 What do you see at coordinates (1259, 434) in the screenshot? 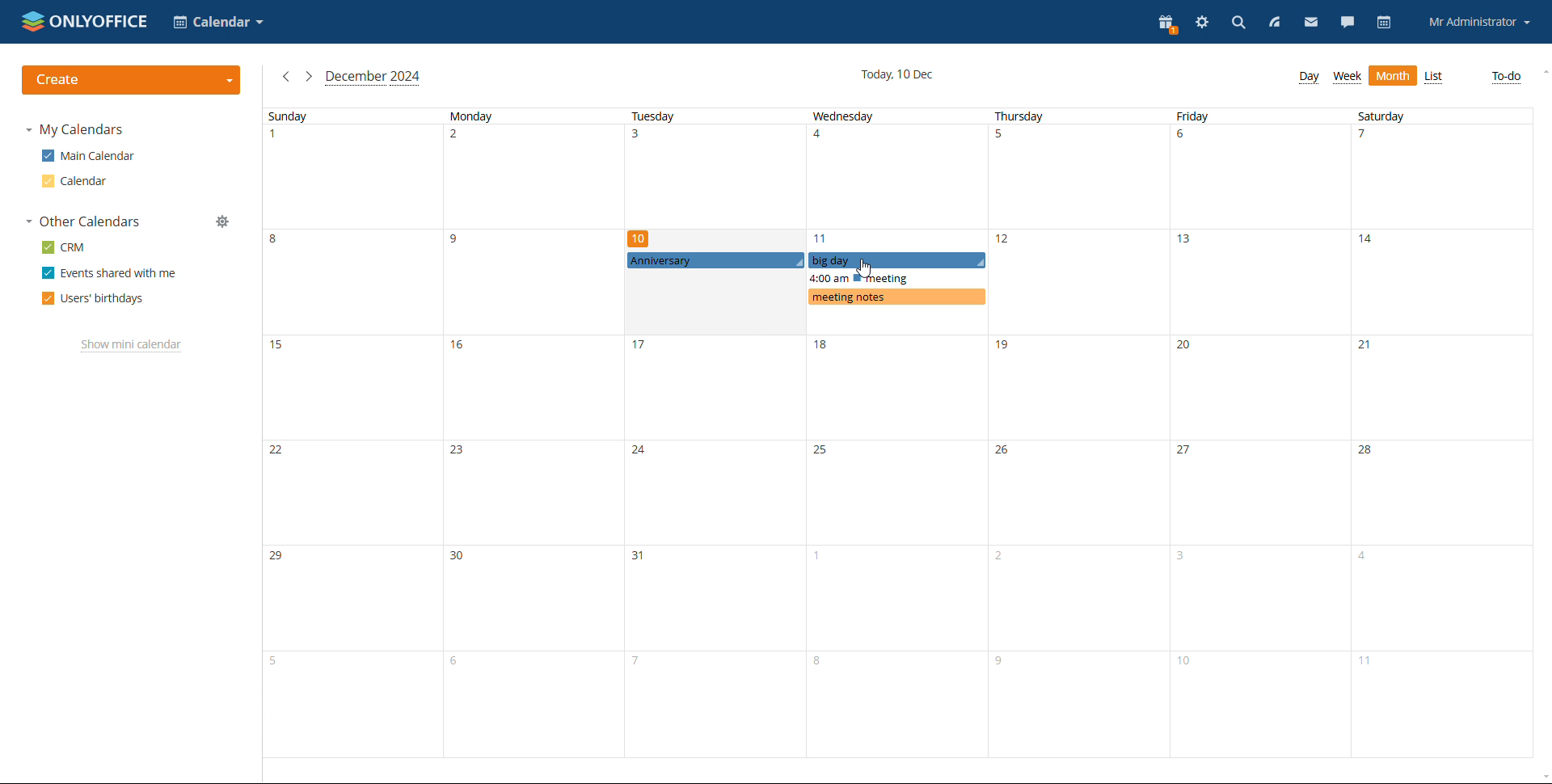
I see `friday` at bounding box center [1259, 434].